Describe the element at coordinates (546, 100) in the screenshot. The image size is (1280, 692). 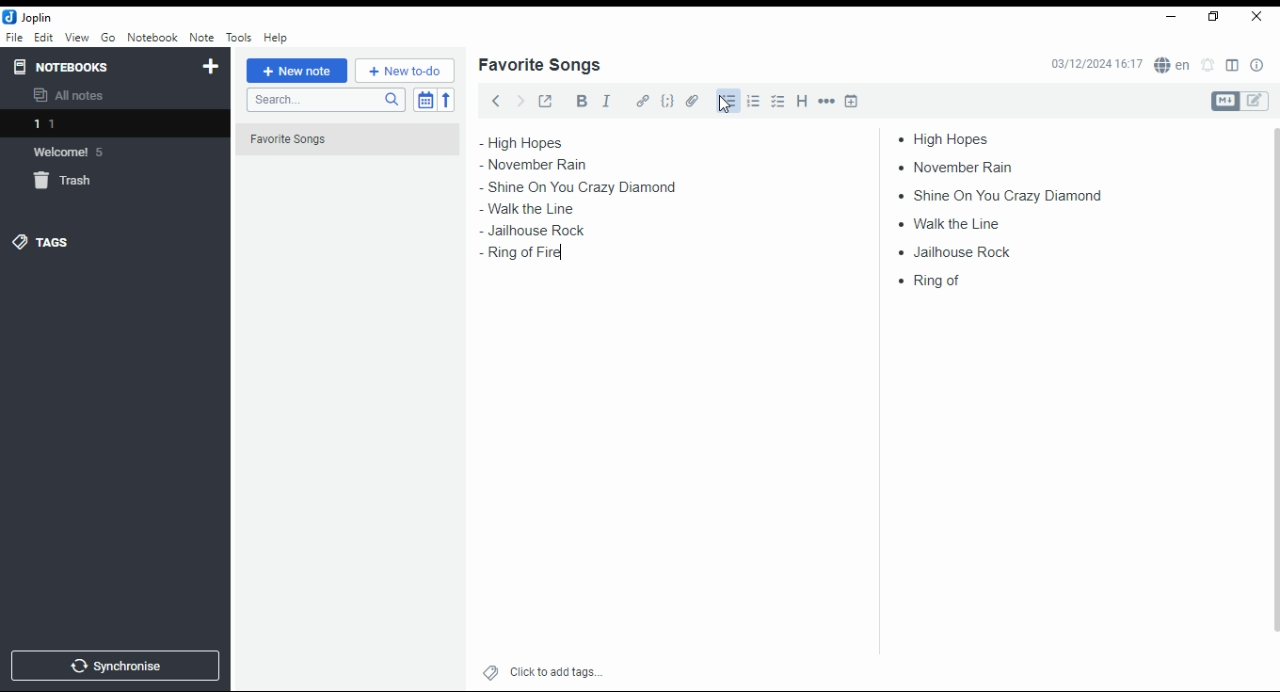
I see `toggle external editing` at that location.